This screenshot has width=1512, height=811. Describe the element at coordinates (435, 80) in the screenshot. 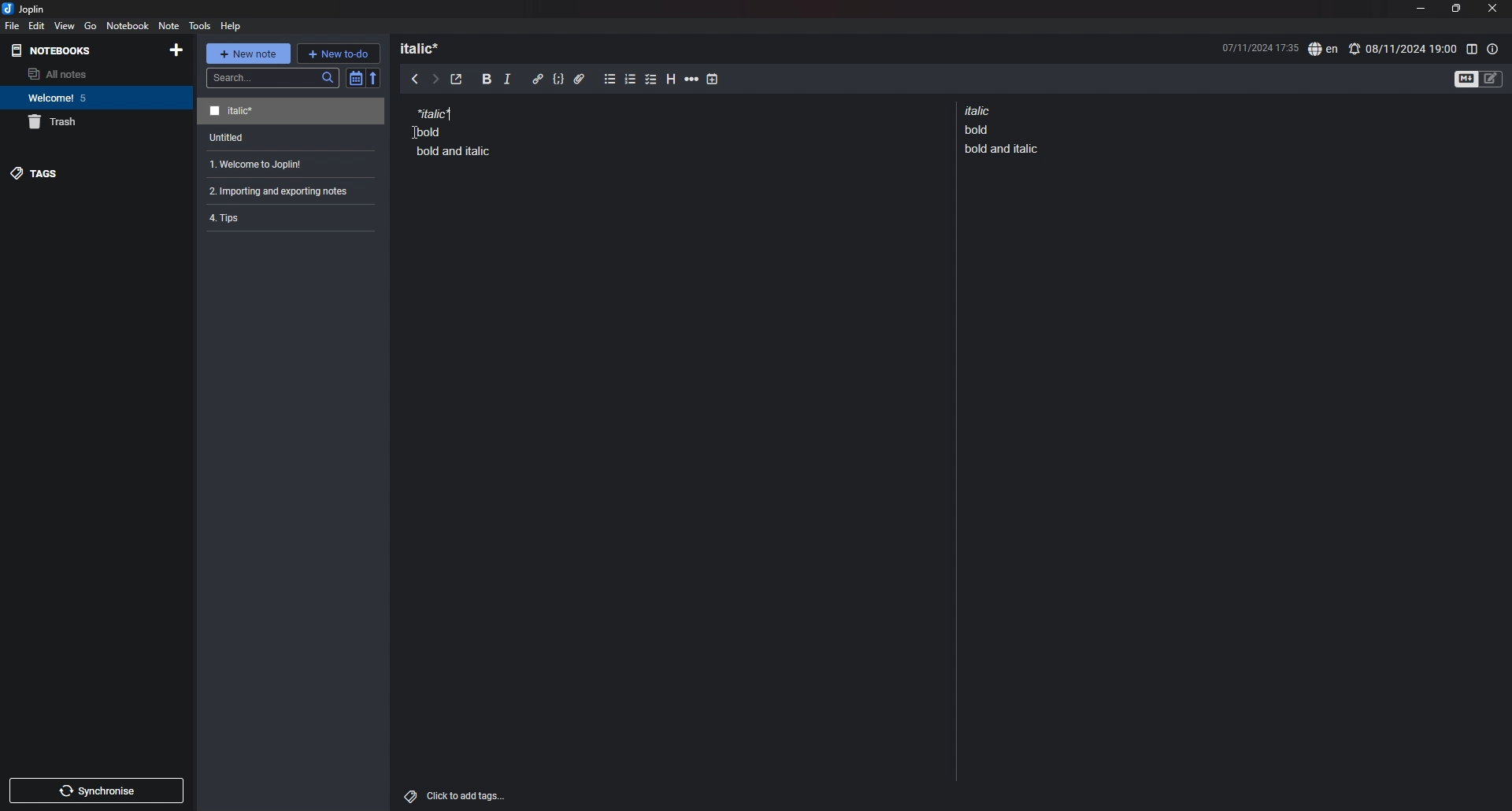

I see `next` at that location.